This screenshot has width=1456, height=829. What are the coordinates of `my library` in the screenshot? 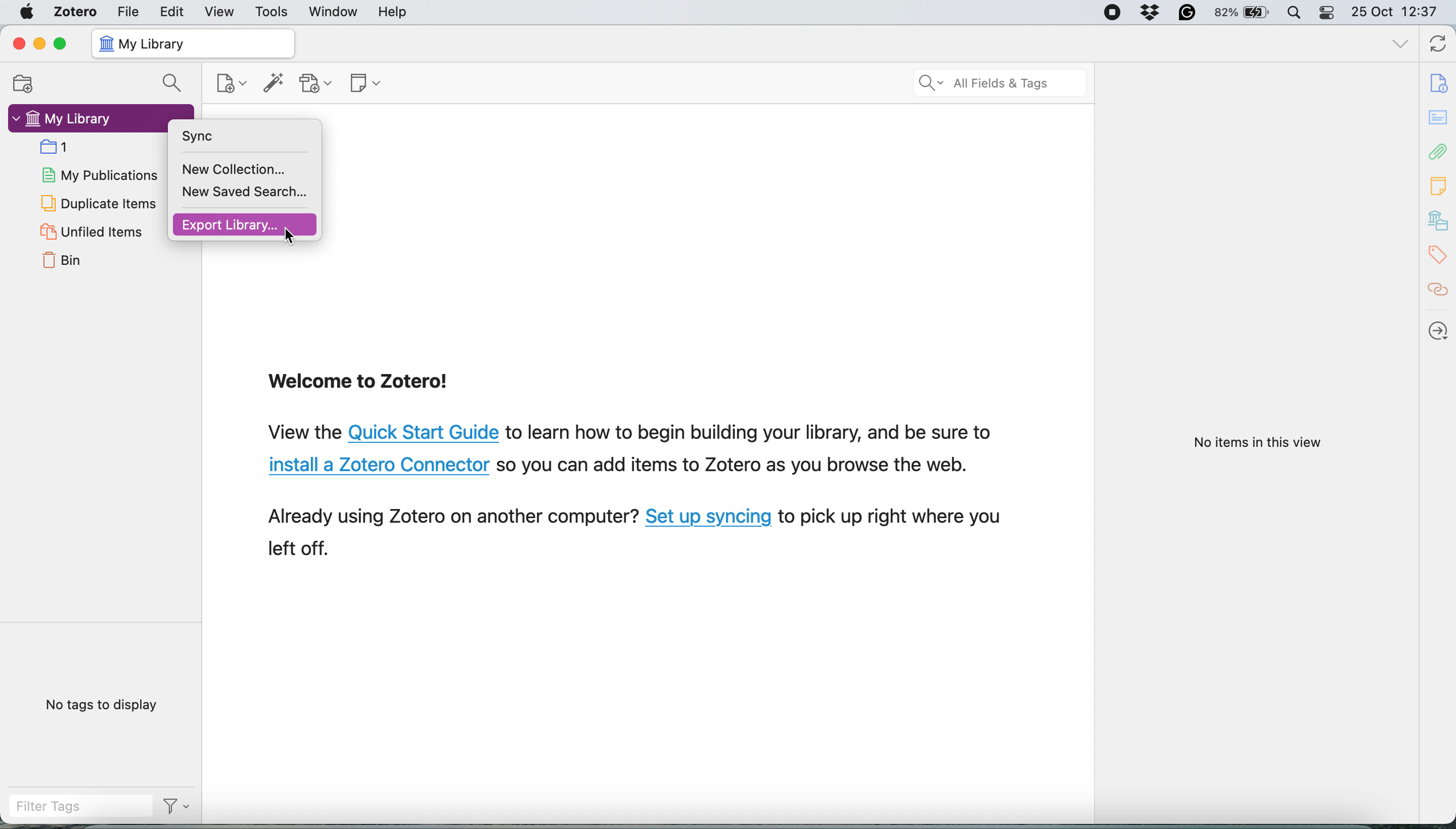 It's located at (193, 43).